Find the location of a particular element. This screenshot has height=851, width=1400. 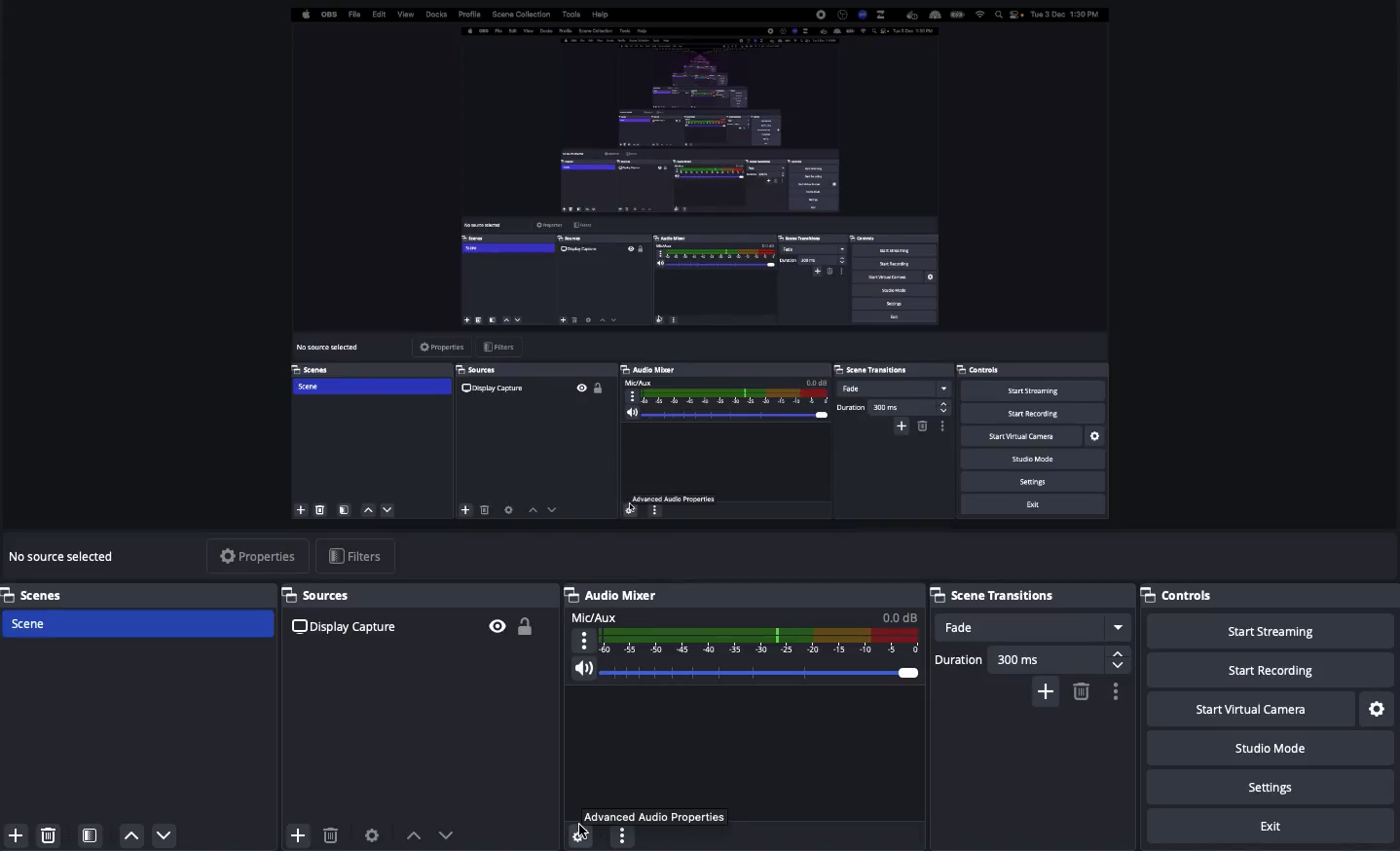

Scene transition is located at coordinates (992, 594).